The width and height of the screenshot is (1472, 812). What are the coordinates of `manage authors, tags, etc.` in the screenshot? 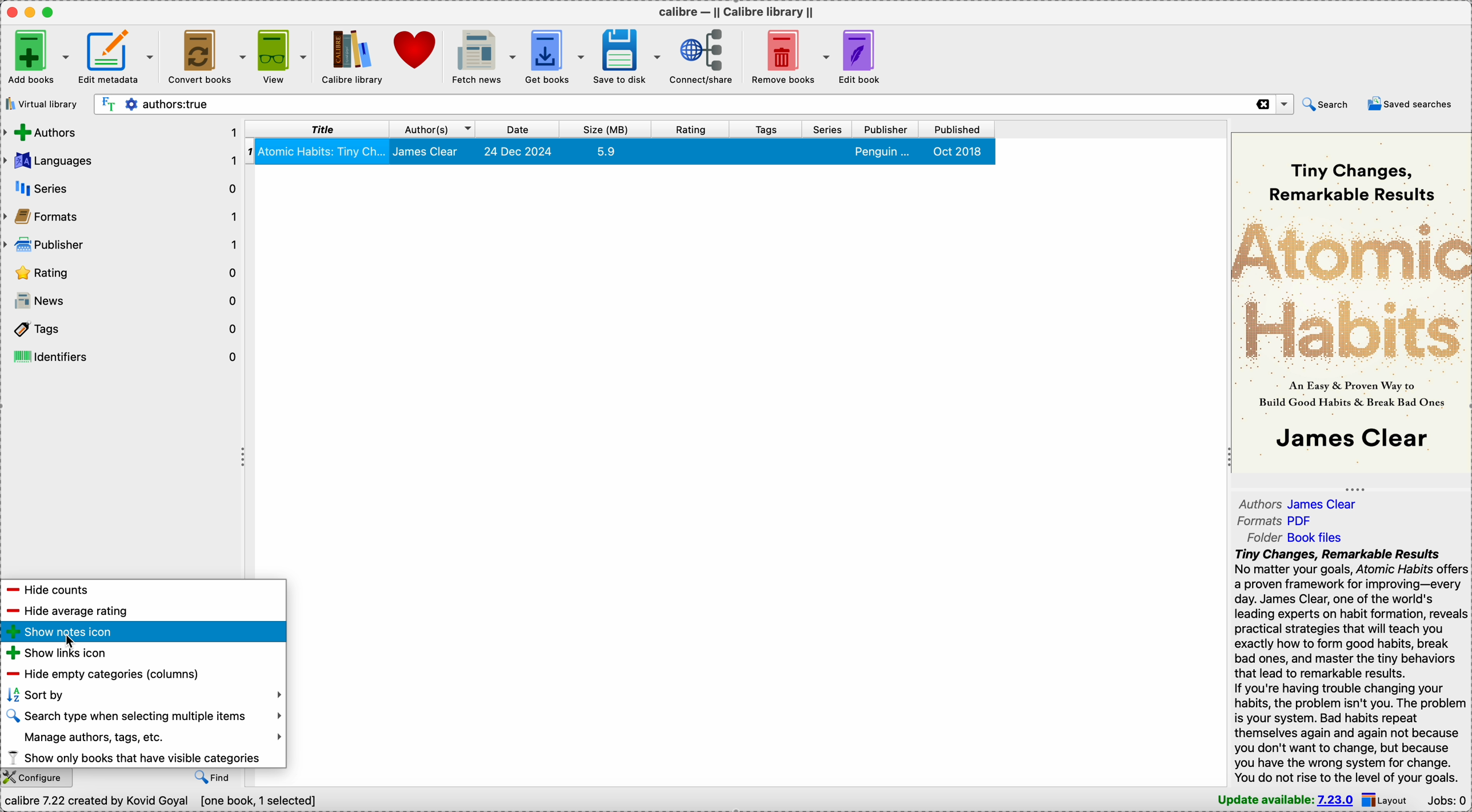 It's located at (146, 739).